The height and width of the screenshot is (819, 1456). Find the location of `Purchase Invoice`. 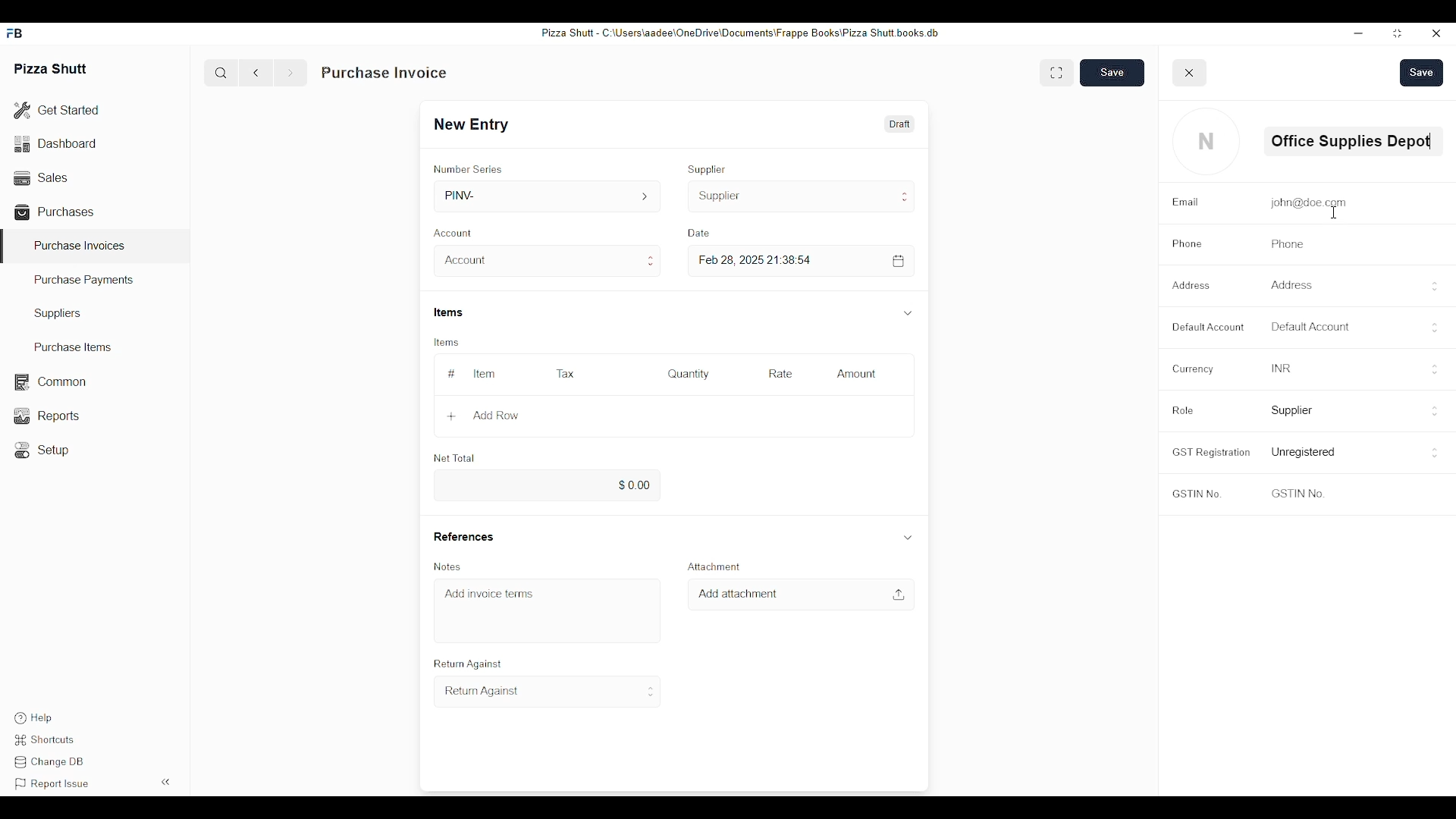

Purchase Invoice is located at coordinates (384, 73).